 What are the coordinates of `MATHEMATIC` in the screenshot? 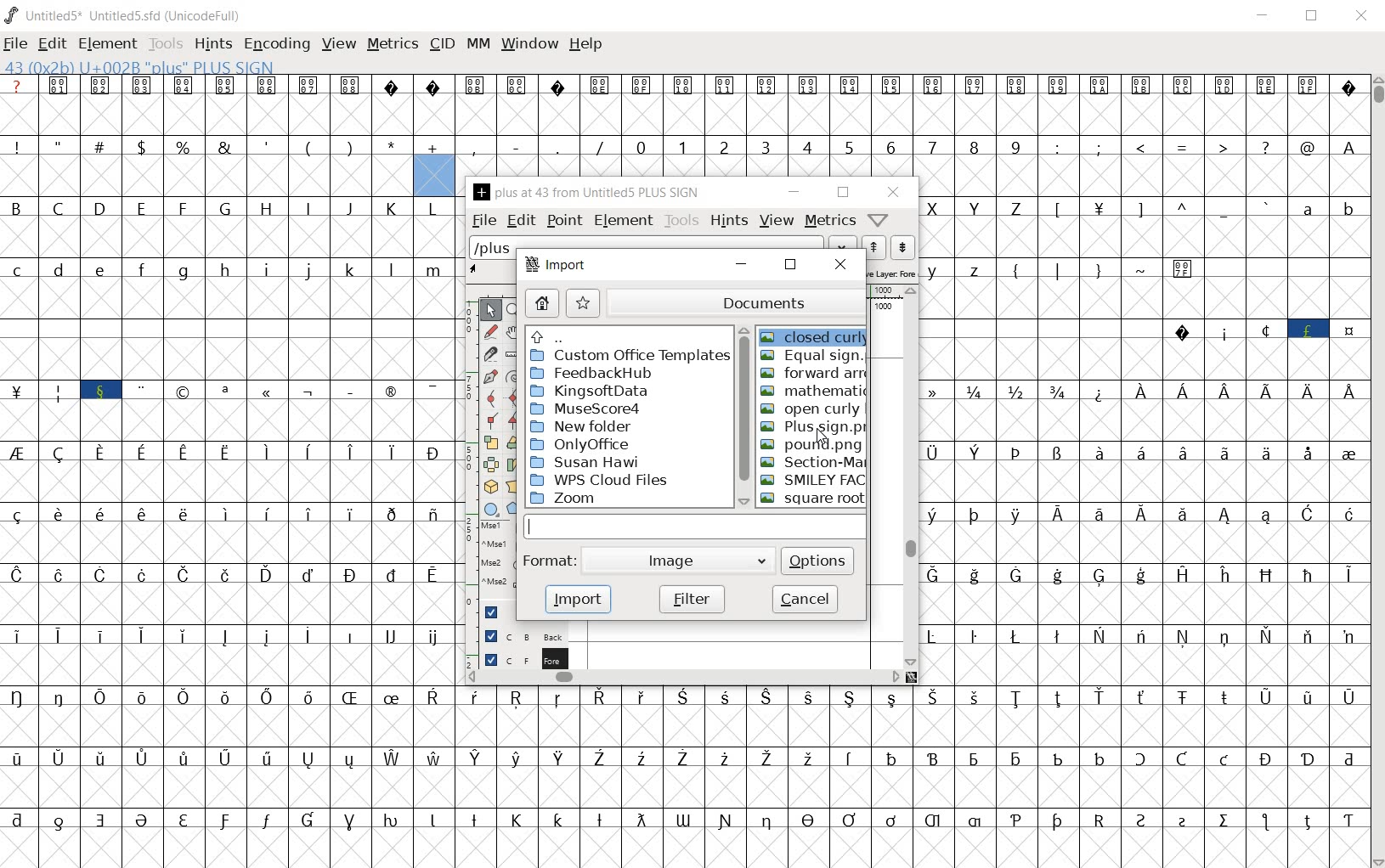 It's located at (814, 391).